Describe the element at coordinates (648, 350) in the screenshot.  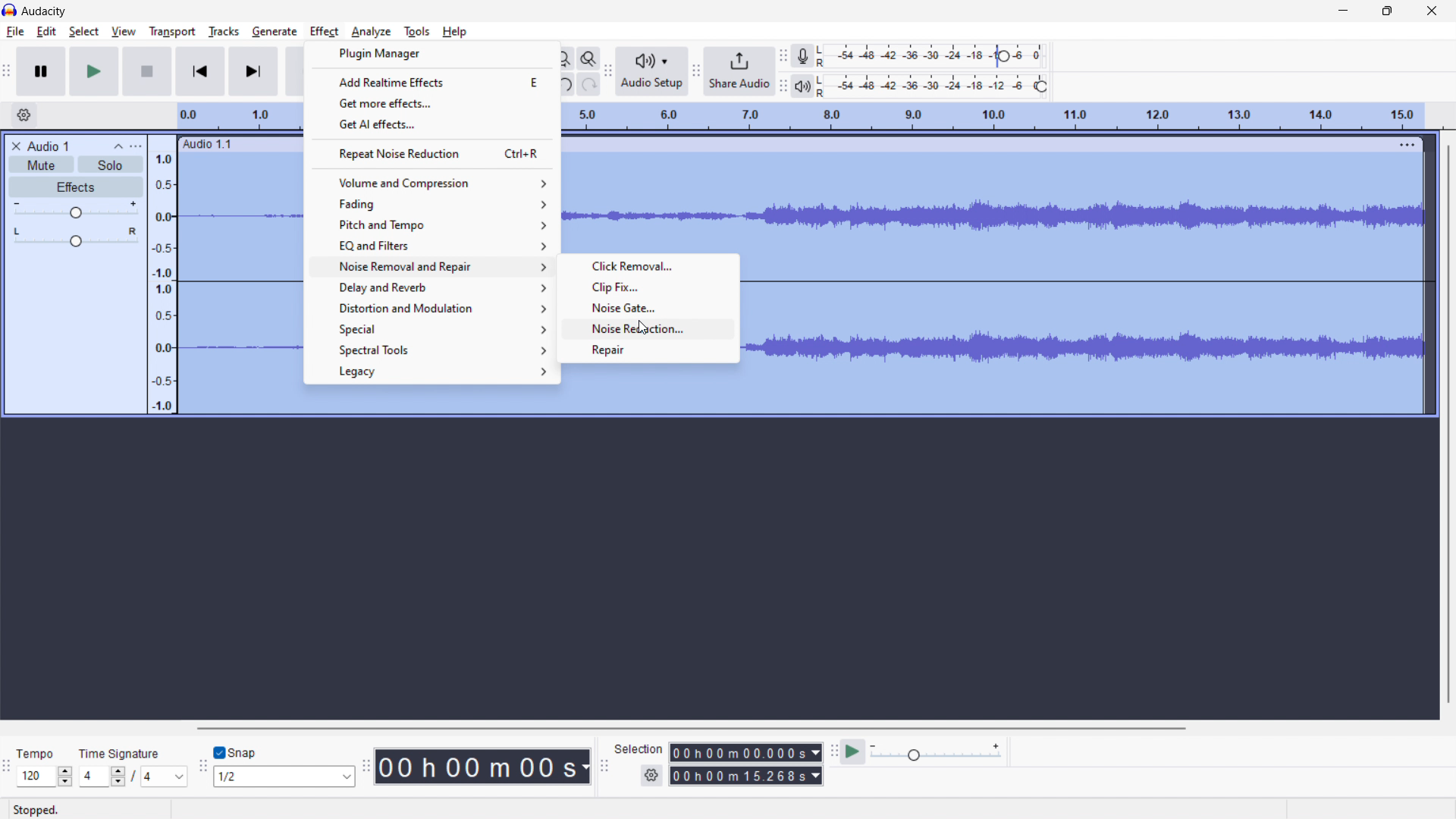
I see `repair` at that location.